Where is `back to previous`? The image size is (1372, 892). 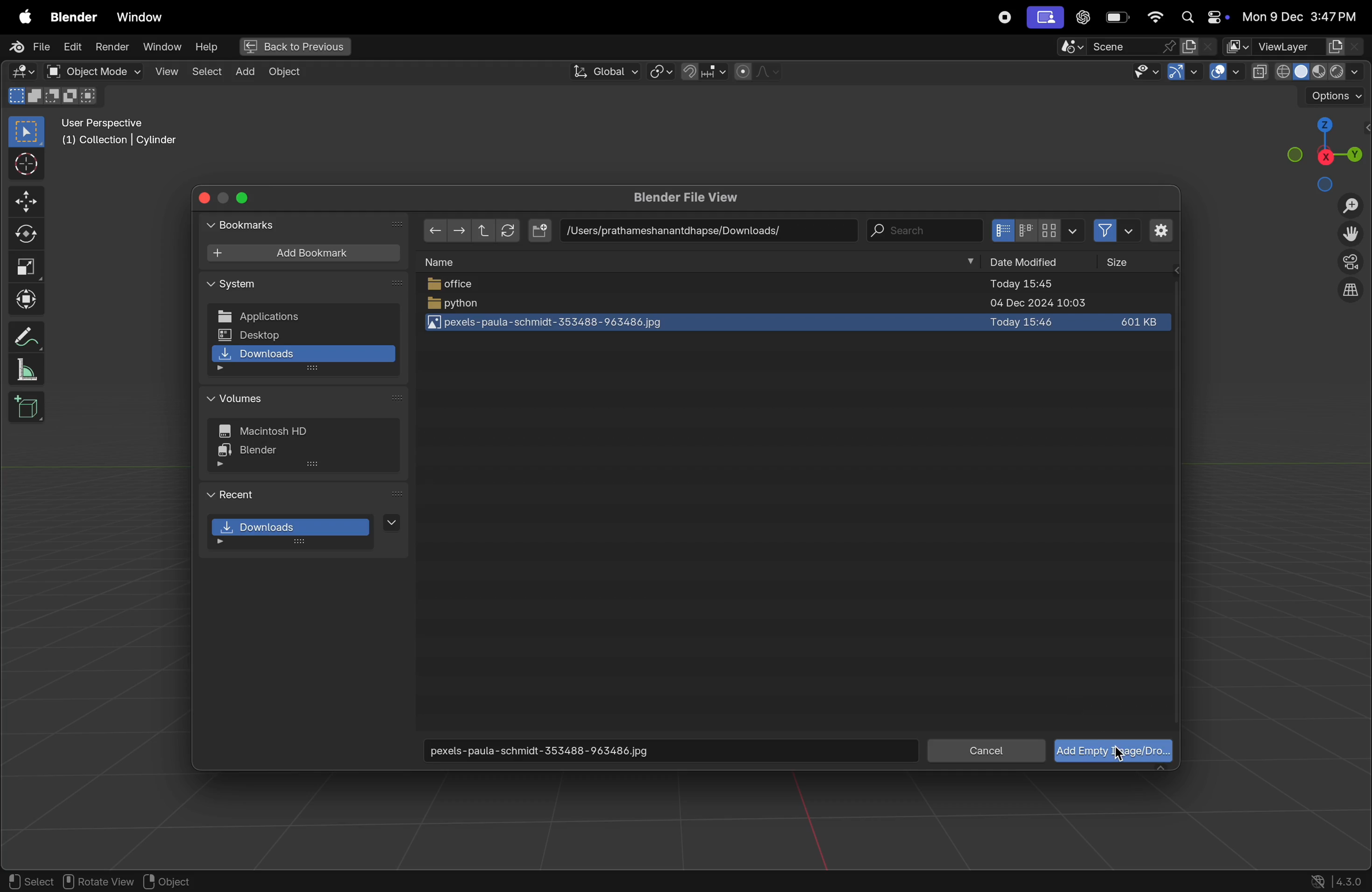 back to previous is located at coordinates (293, 44).